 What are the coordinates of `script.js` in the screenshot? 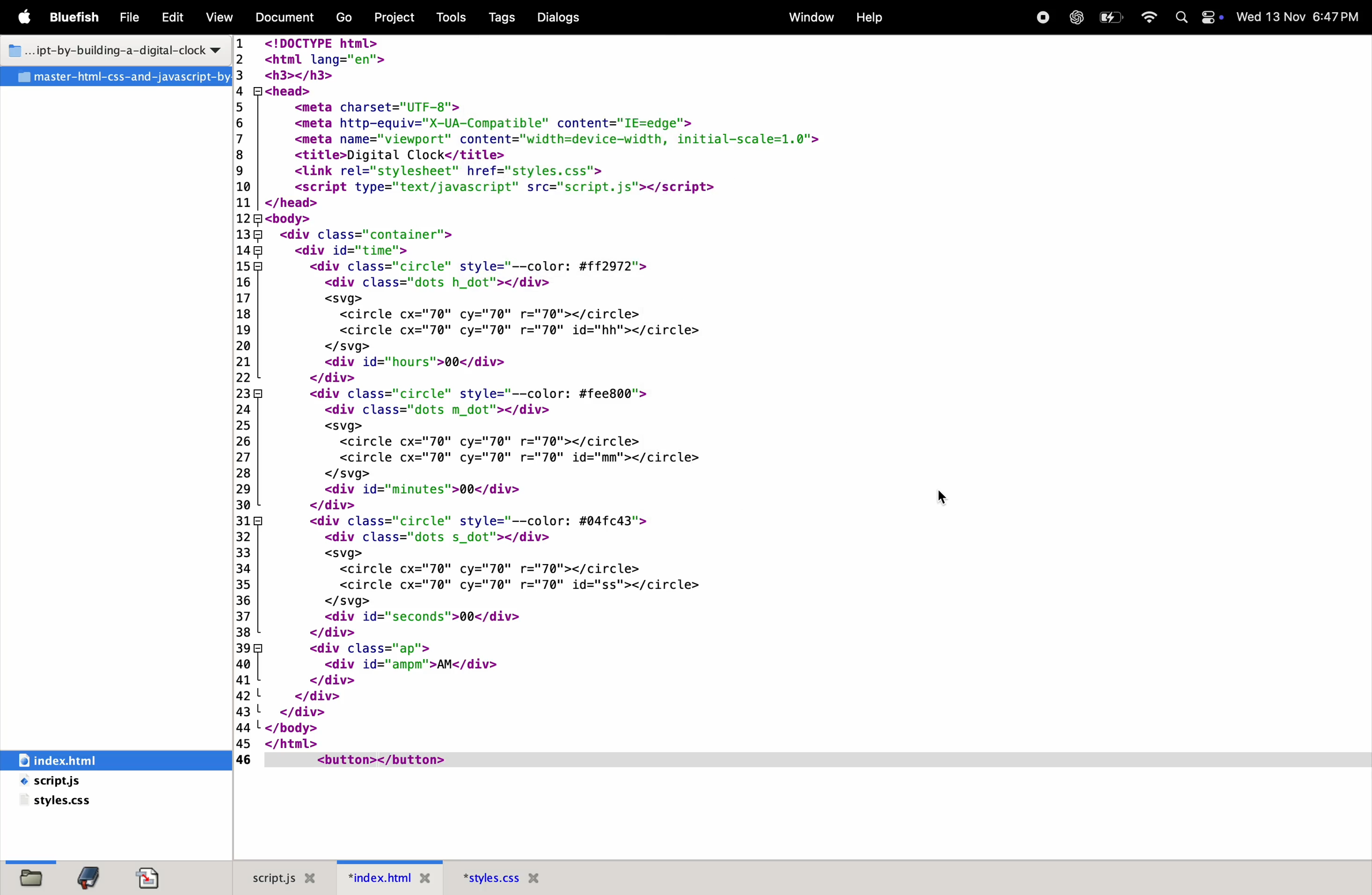 It's located at (78, 782).